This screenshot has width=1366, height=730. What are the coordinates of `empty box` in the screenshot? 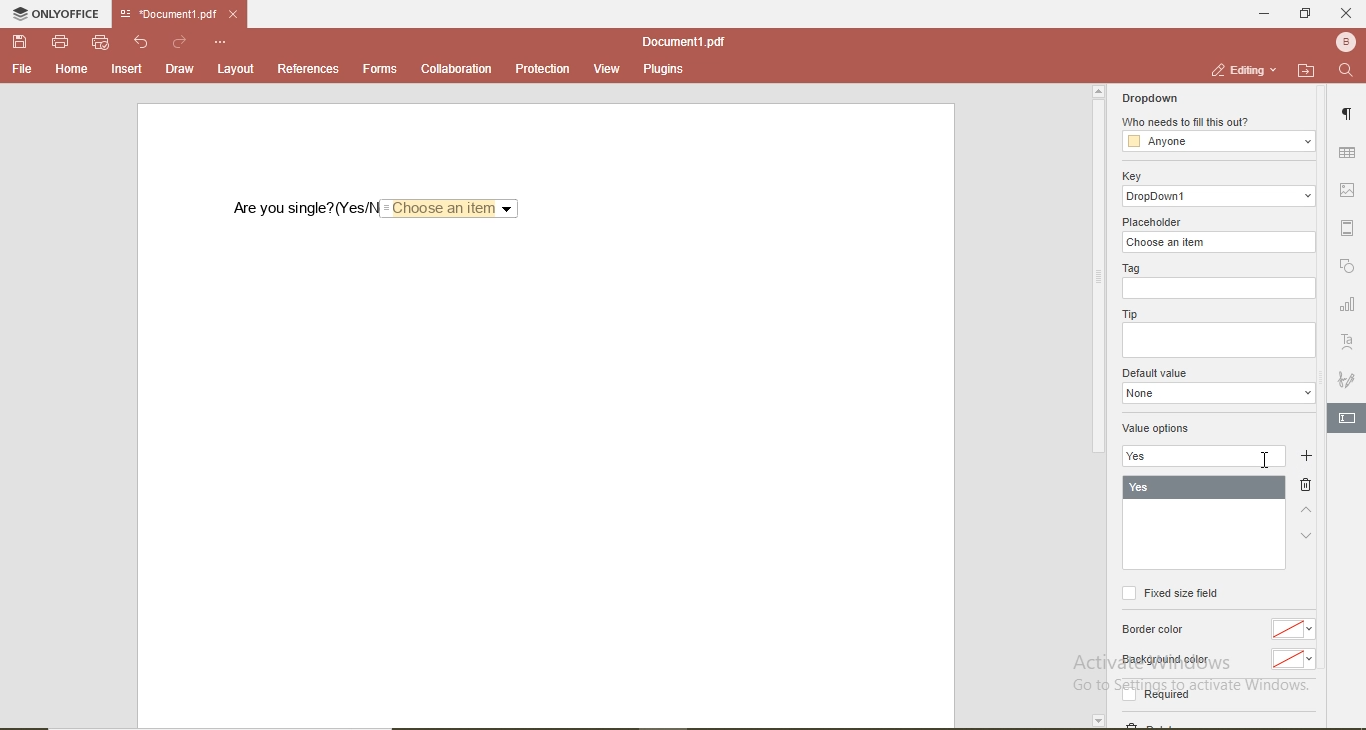 It's located at (1221, 340).